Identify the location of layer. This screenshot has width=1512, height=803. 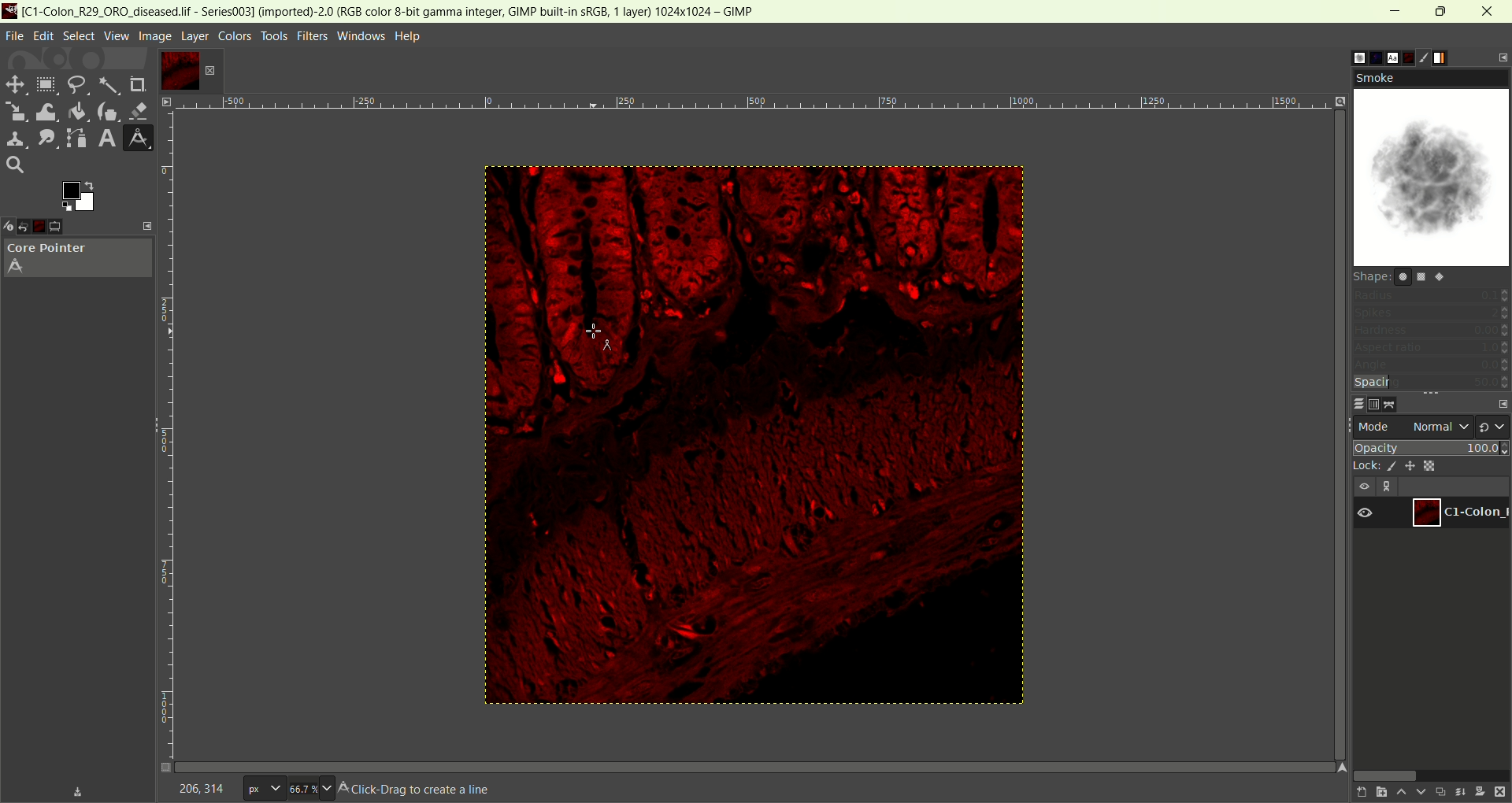
(195, 37).